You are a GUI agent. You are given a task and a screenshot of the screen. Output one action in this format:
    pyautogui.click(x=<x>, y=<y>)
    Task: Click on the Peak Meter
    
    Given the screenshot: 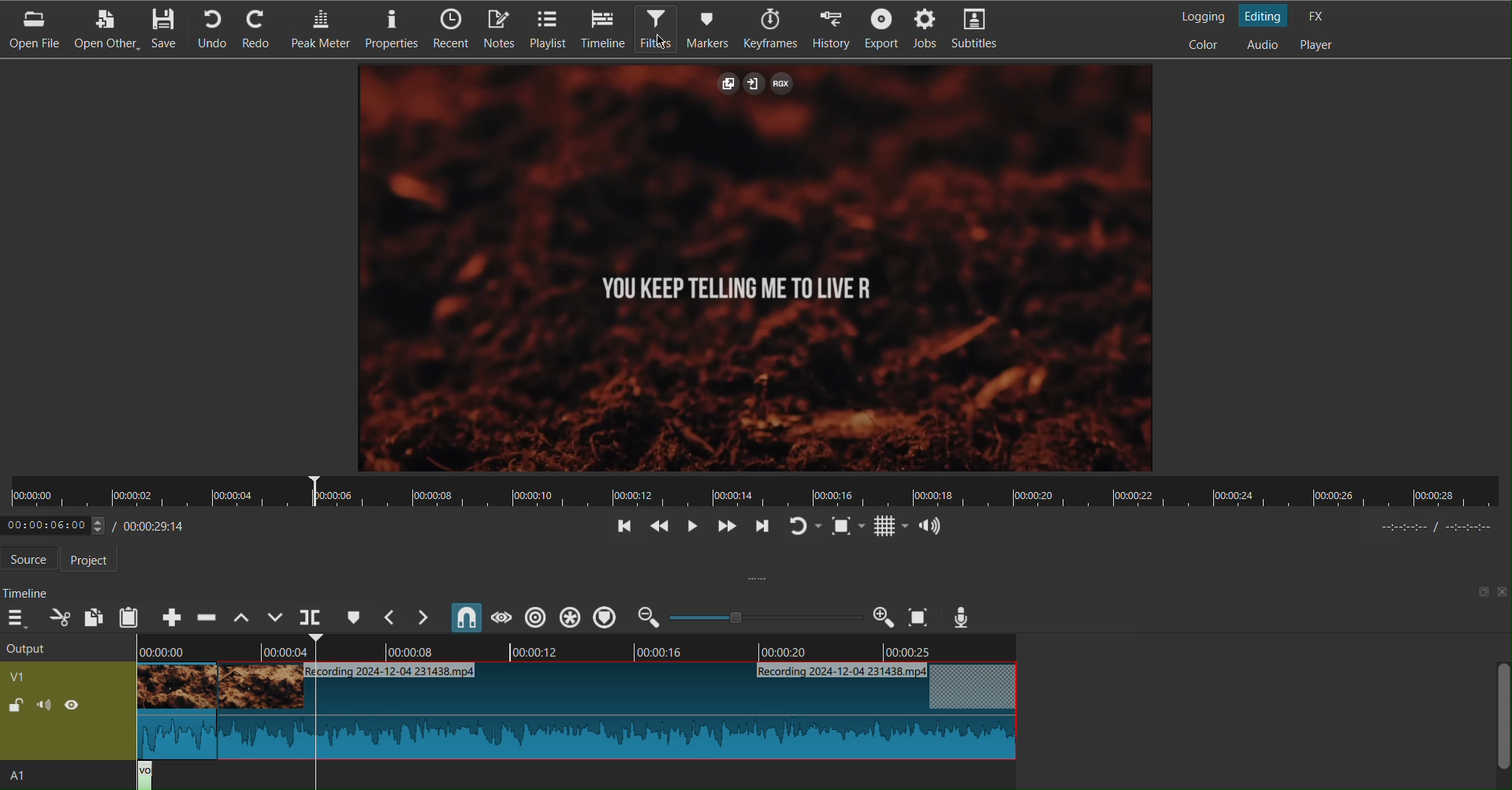 What is the action you would take?
    pyautogui.click(x=323, y=29)
    